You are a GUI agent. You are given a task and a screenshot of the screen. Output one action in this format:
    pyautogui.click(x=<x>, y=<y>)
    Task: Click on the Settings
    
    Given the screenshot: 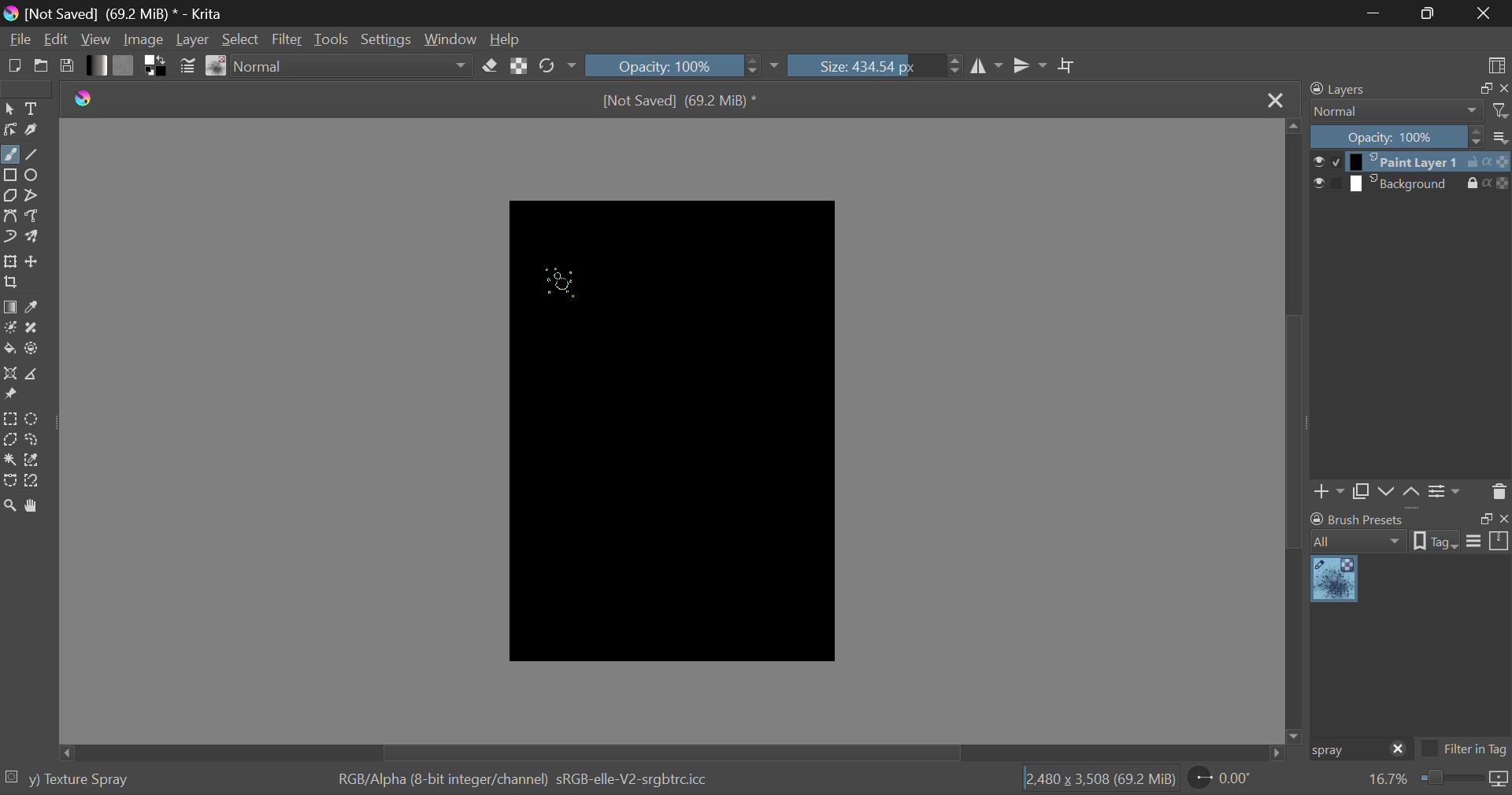 What is the action you would take?
    pyautogui.click(x=1447, y=492)
    